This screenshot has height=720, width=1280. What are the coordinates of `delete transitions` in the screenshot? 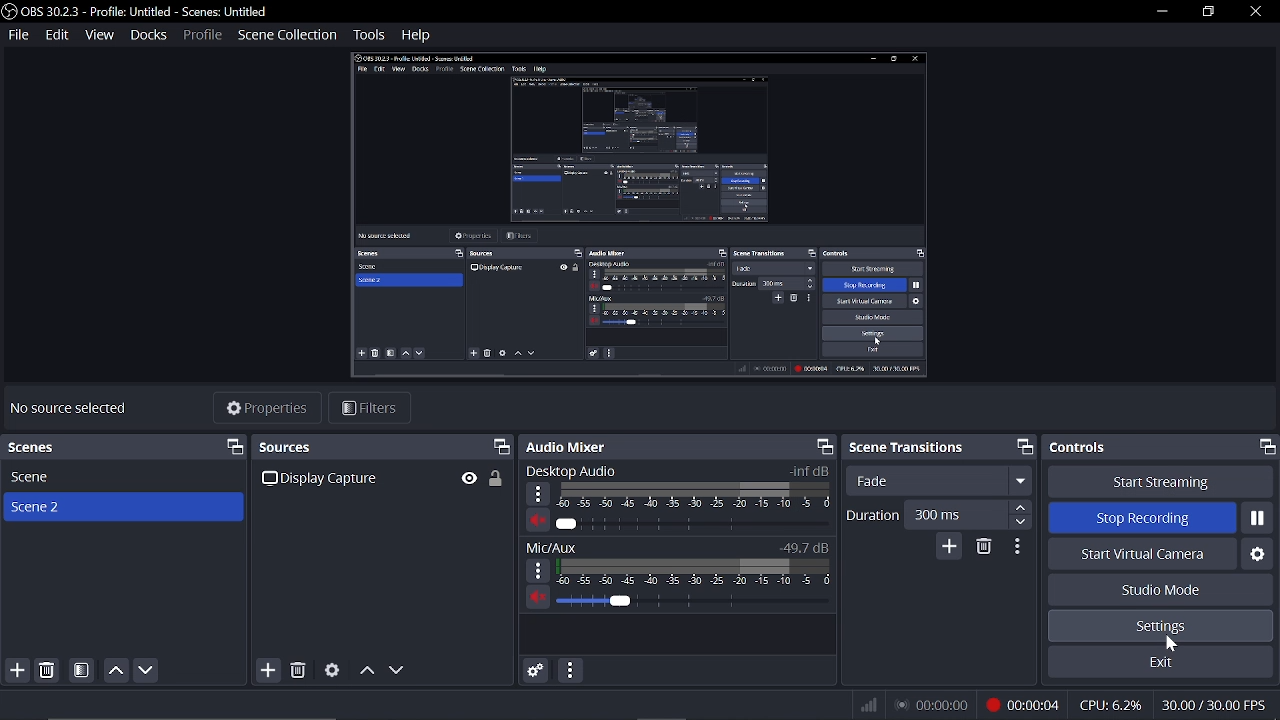 It's located at (986, 547).